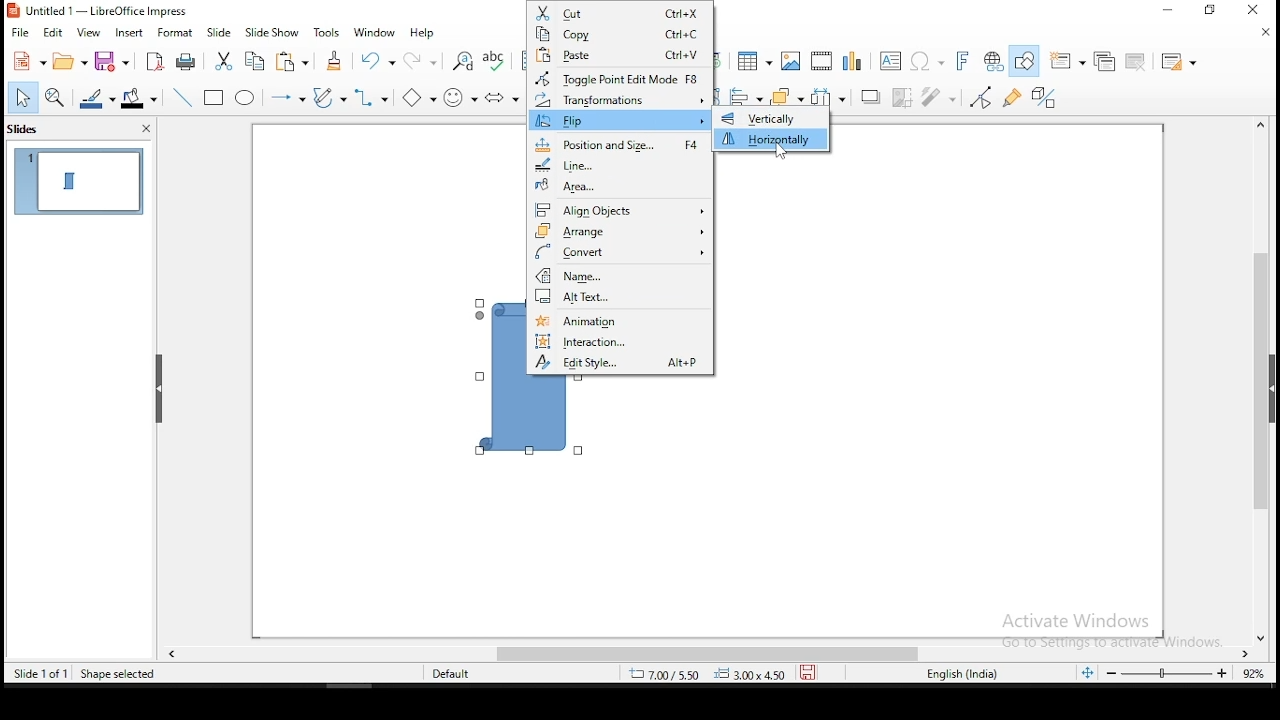  Describe the element at coordinates (19, 33) in the screenshot. I see `file` at that location.